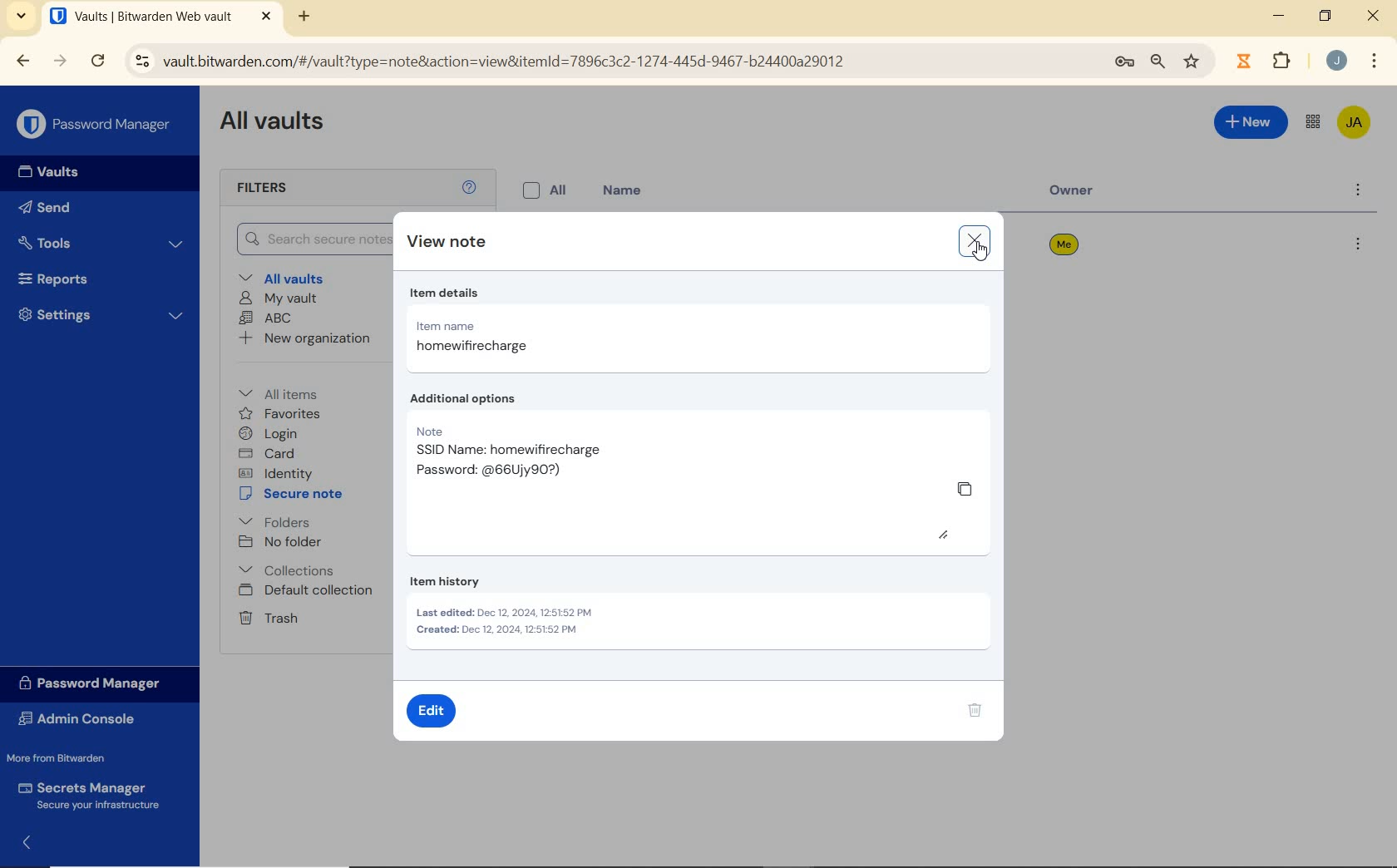  I want to click on Trash, so click(268, 618).